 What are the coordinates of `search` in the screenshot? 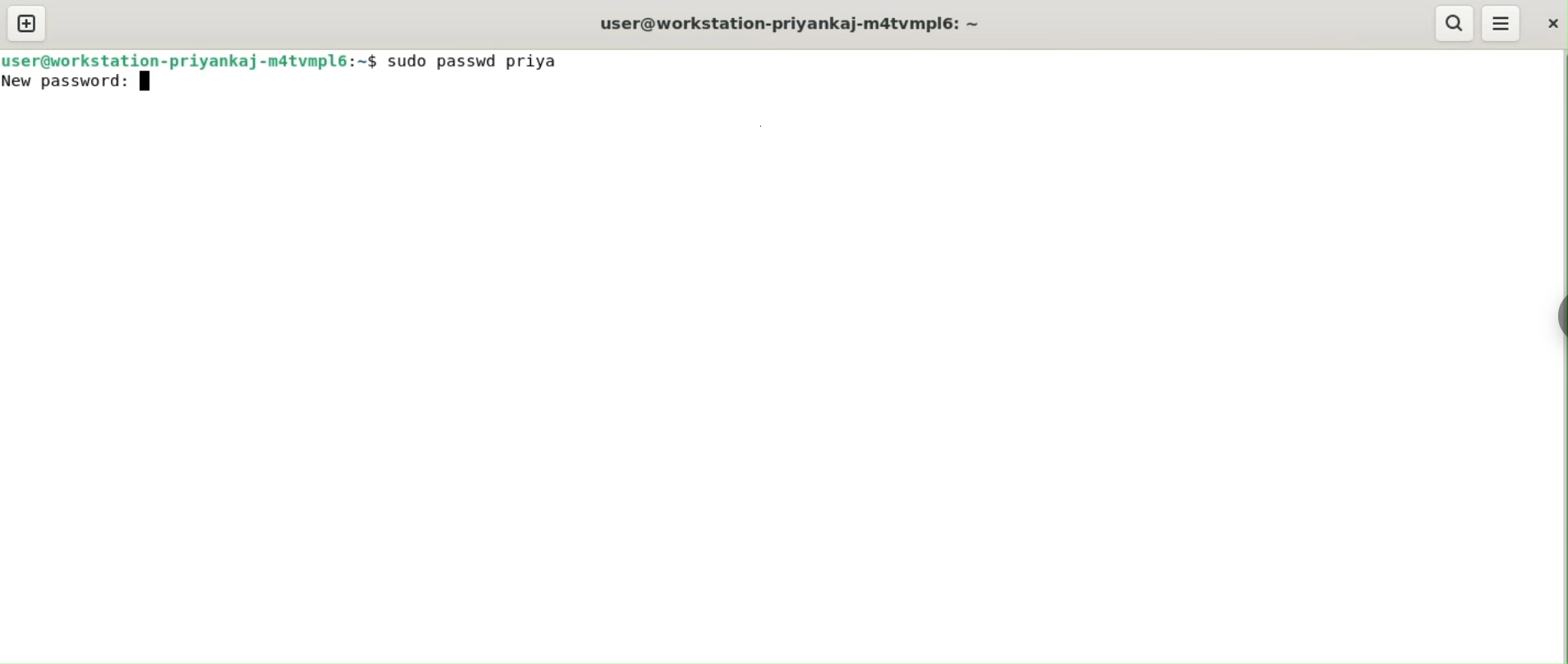 It's located at (1454, 24).